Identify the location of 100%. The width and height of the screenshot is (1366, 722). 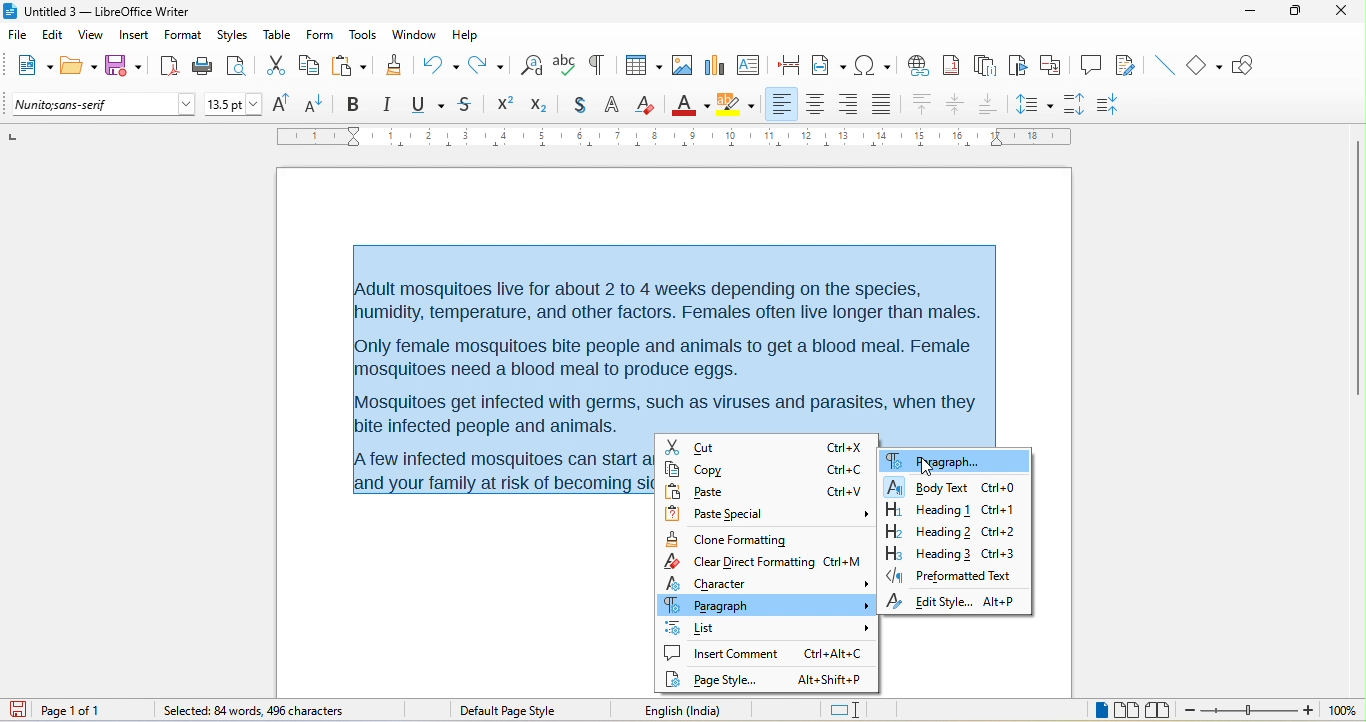
(1342, 711).